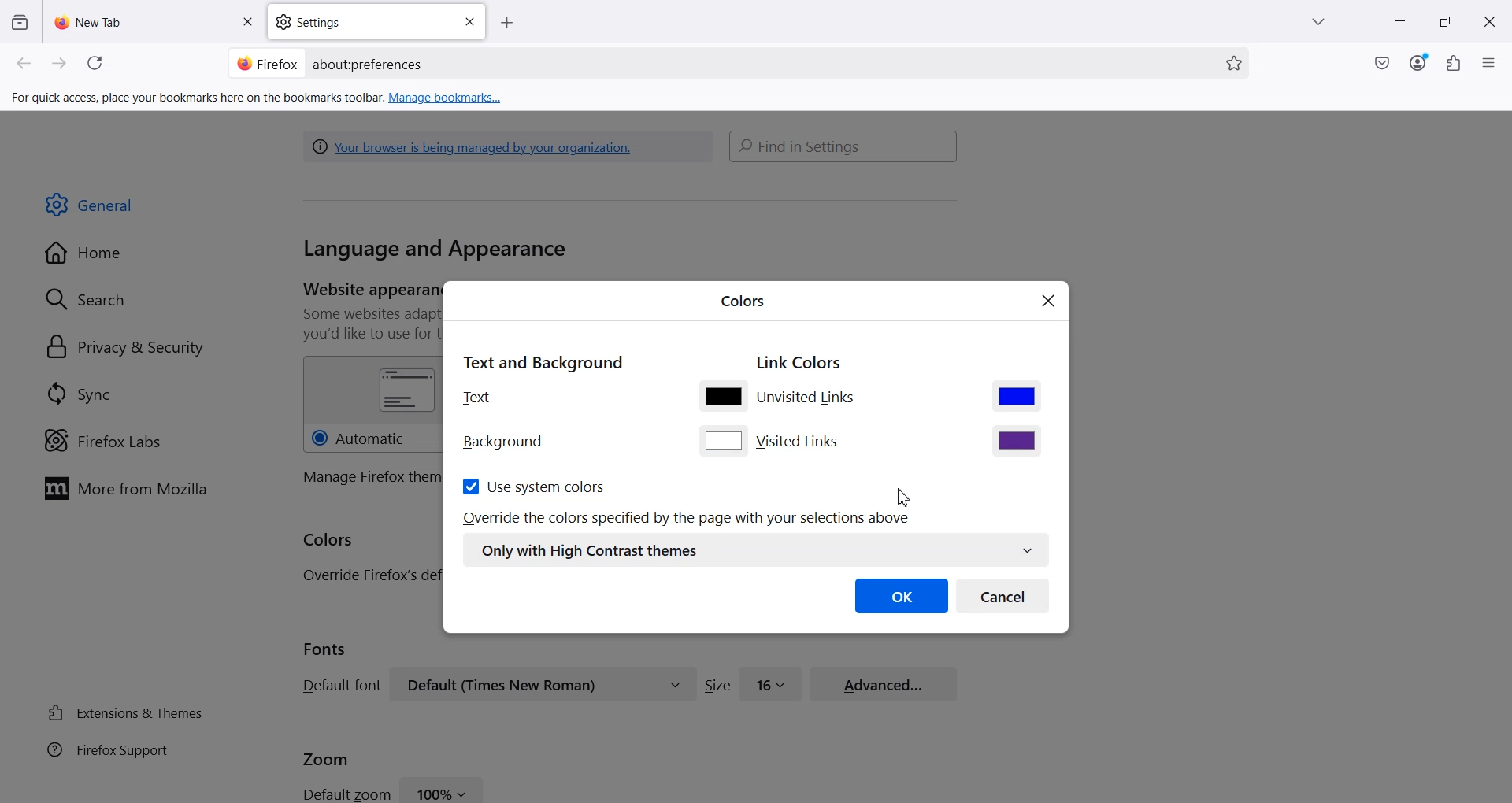 This screenshot has height=803, width=1512. I want to click on Close, so click(1489, 22).